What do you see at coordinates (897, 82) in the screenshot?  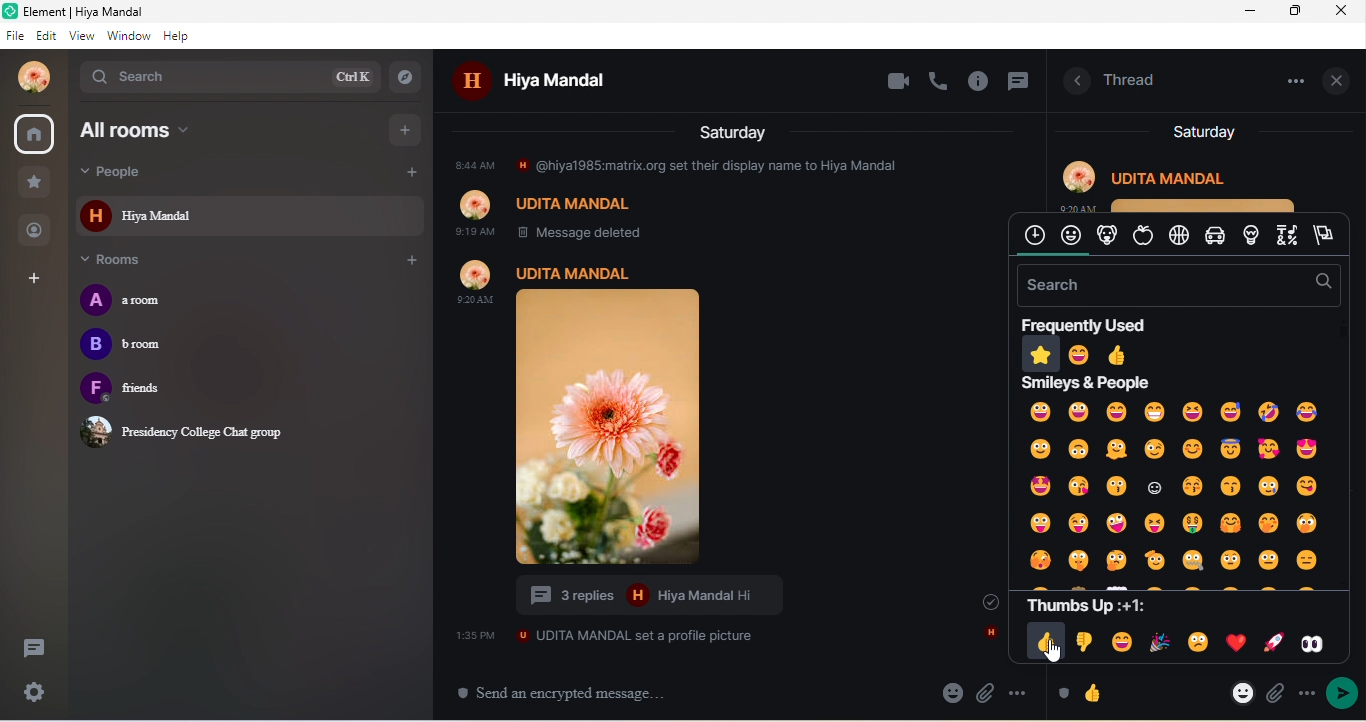 I see `video call` at bounding box center [897, 82].